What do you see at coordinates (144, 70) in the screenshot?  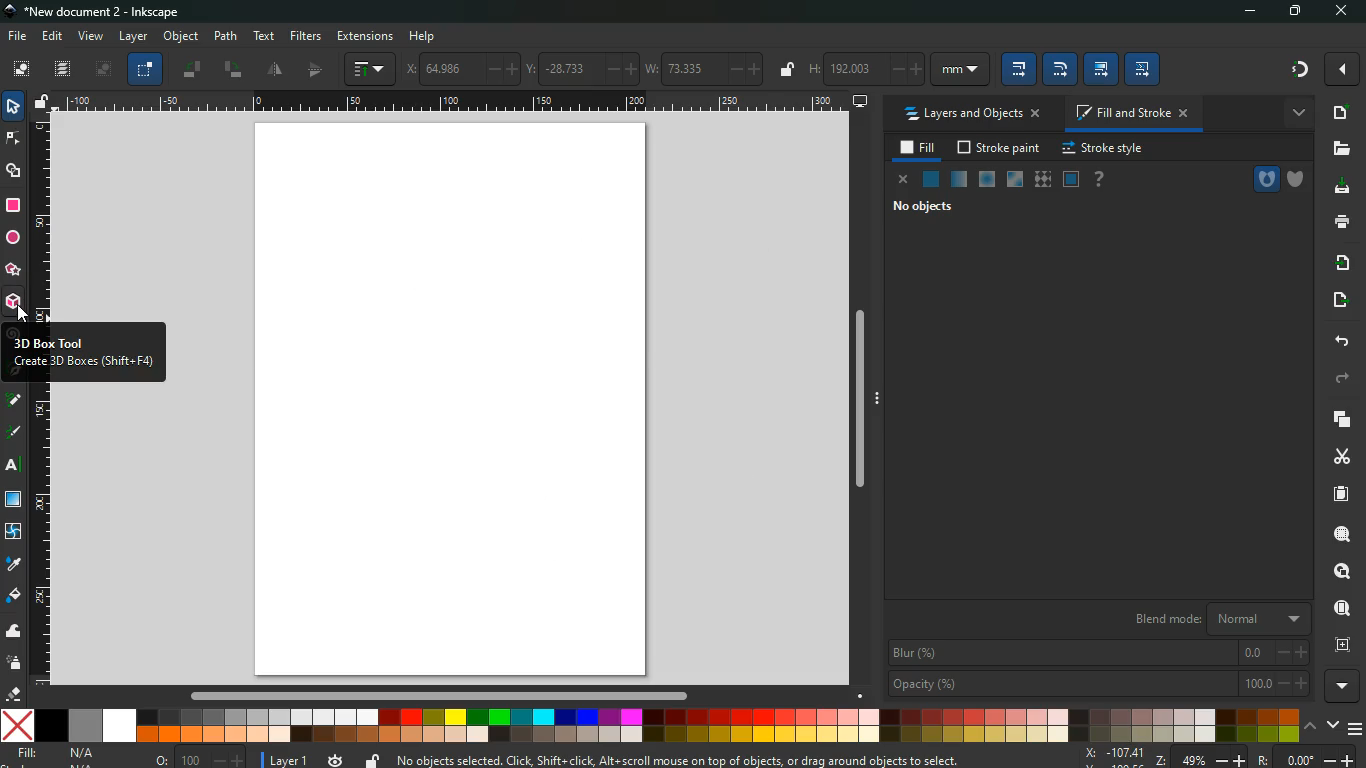 I see `select` at bounding box center [144, 70].